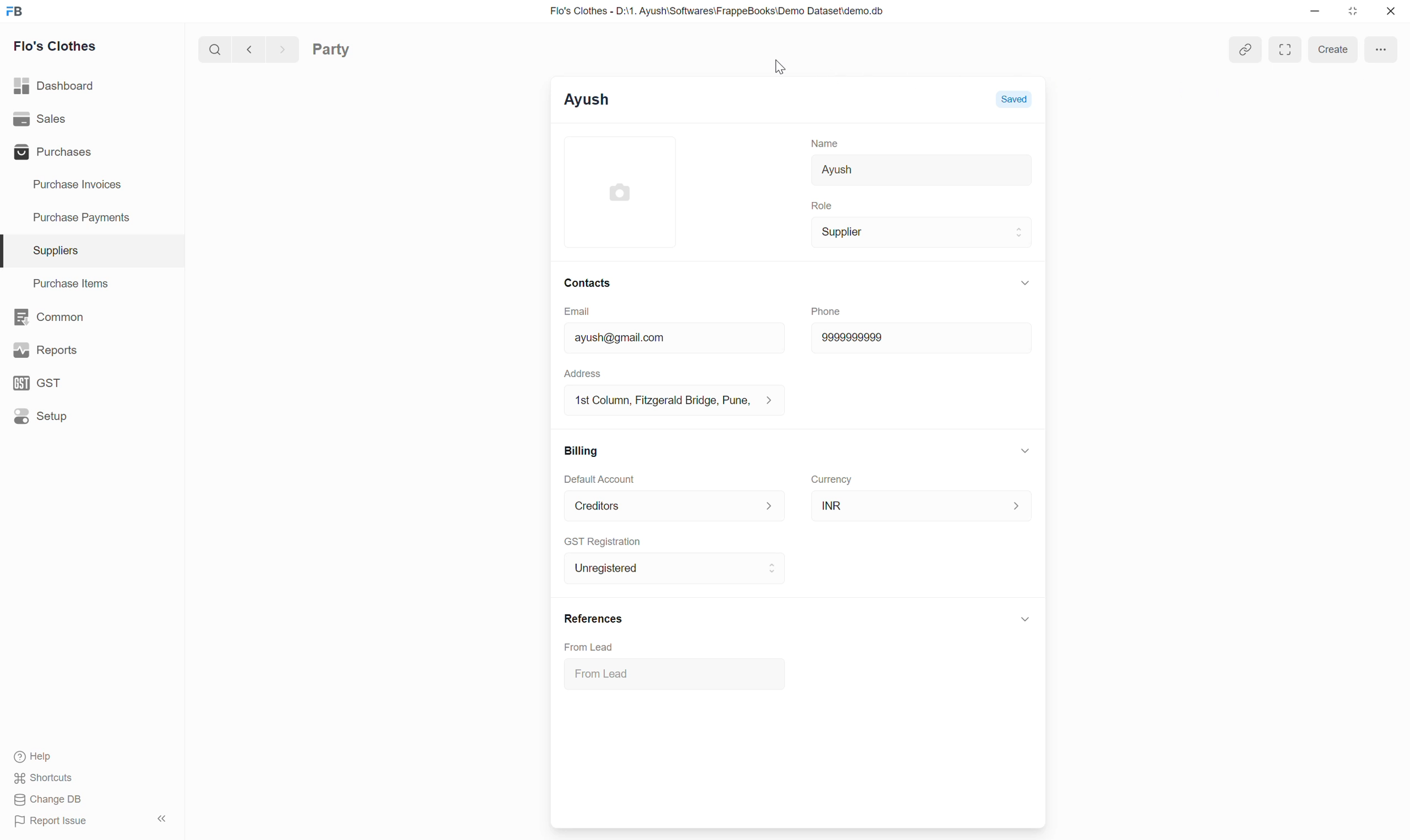 The width and height of the screenshot is (1410, 840). Describe the element at coordinates (921, 170) in the screenshot. I see `Ayush` at that location.